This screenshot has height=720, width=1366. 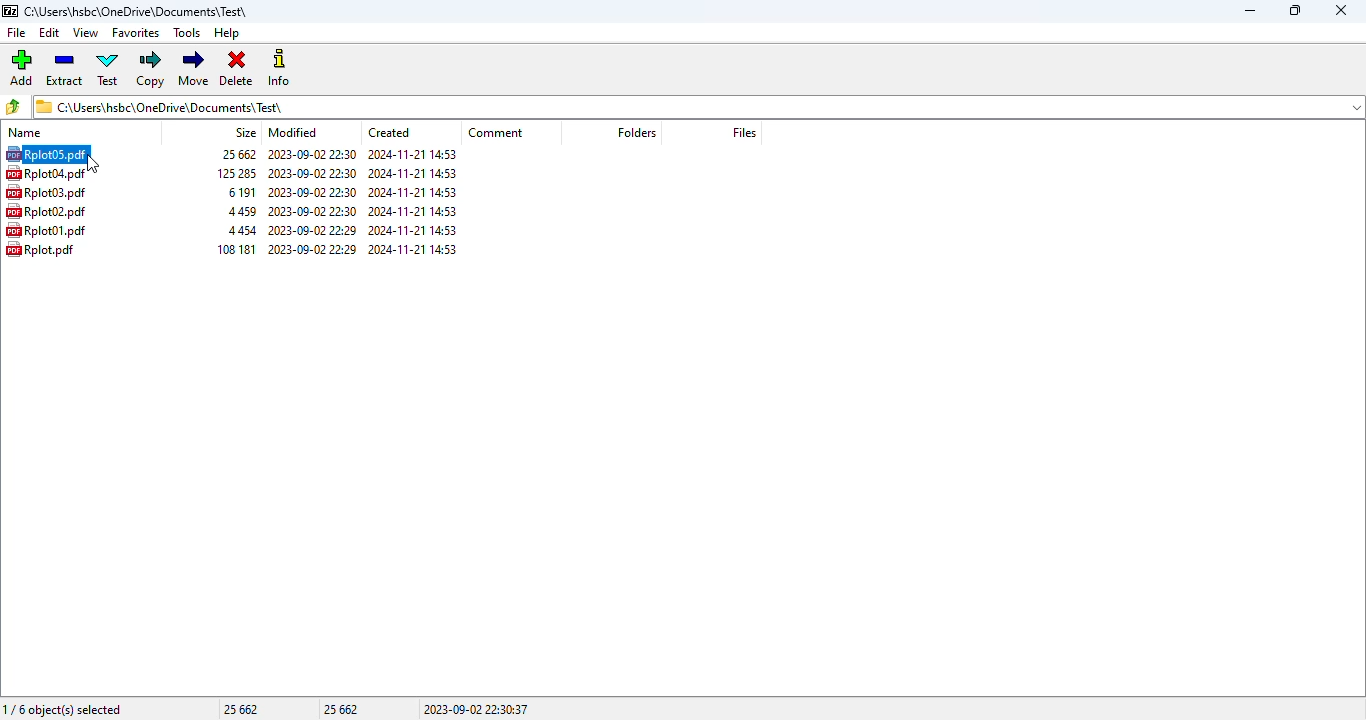 I want to click on 2023-09-02 22:30:37, so click(x=475, y=710).